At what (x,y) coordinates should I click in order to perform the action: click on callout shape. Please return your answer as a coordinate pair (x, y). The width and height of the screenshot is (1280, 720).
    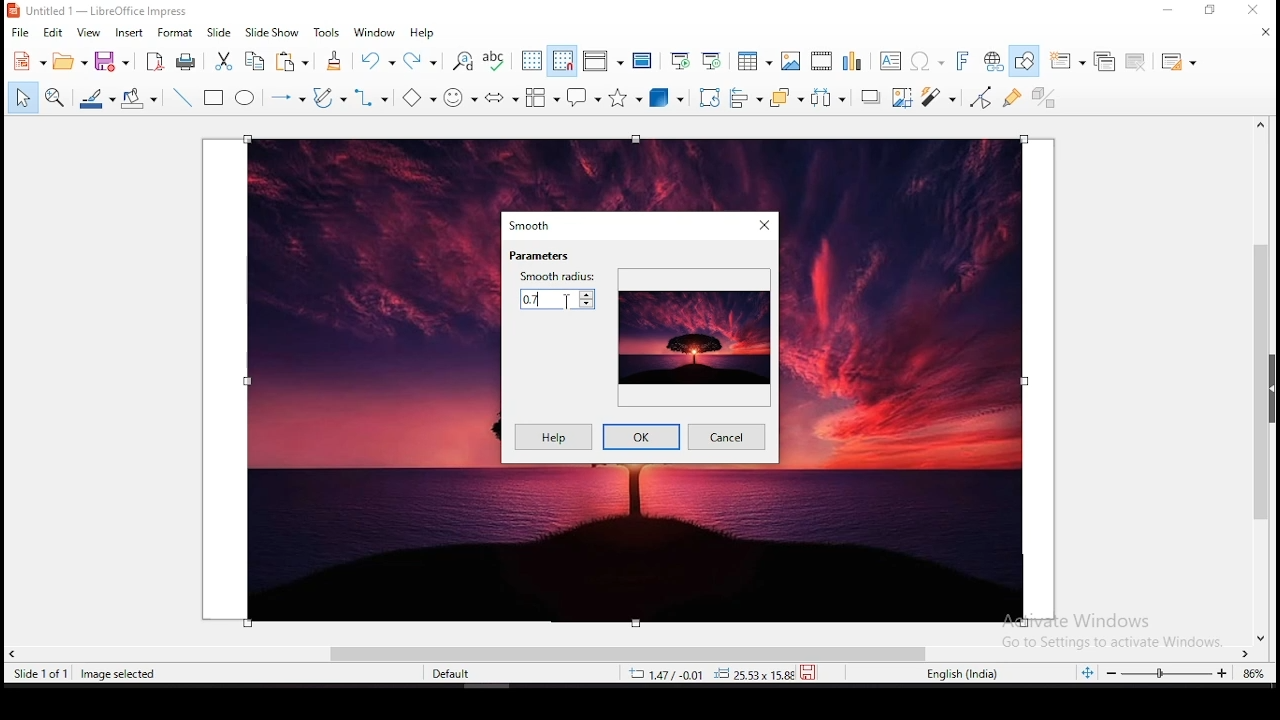
    Looking at the image, I should click on (584, 101).